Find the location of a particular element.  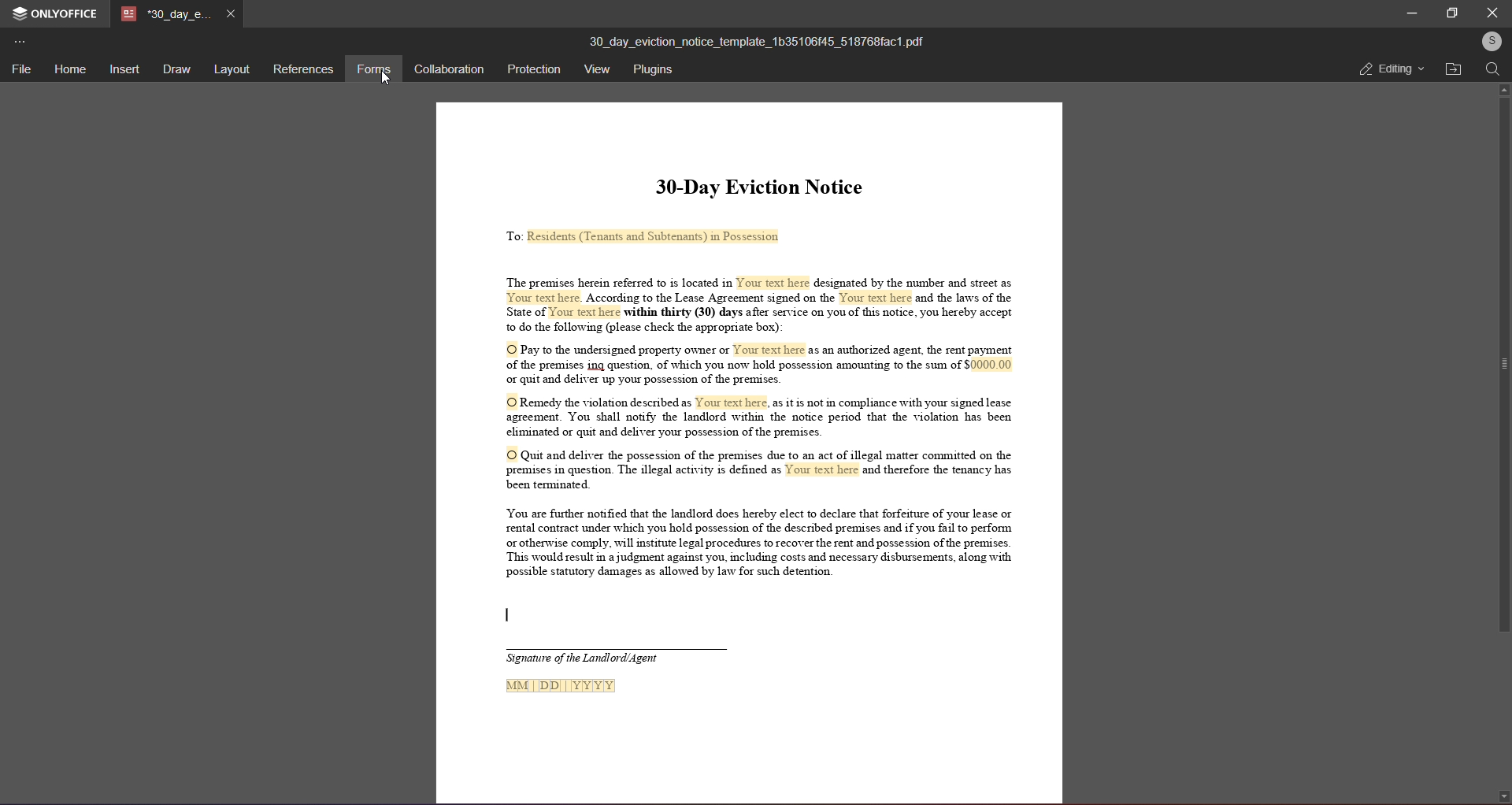

scroll bar is located at coordinates (1499, 368).